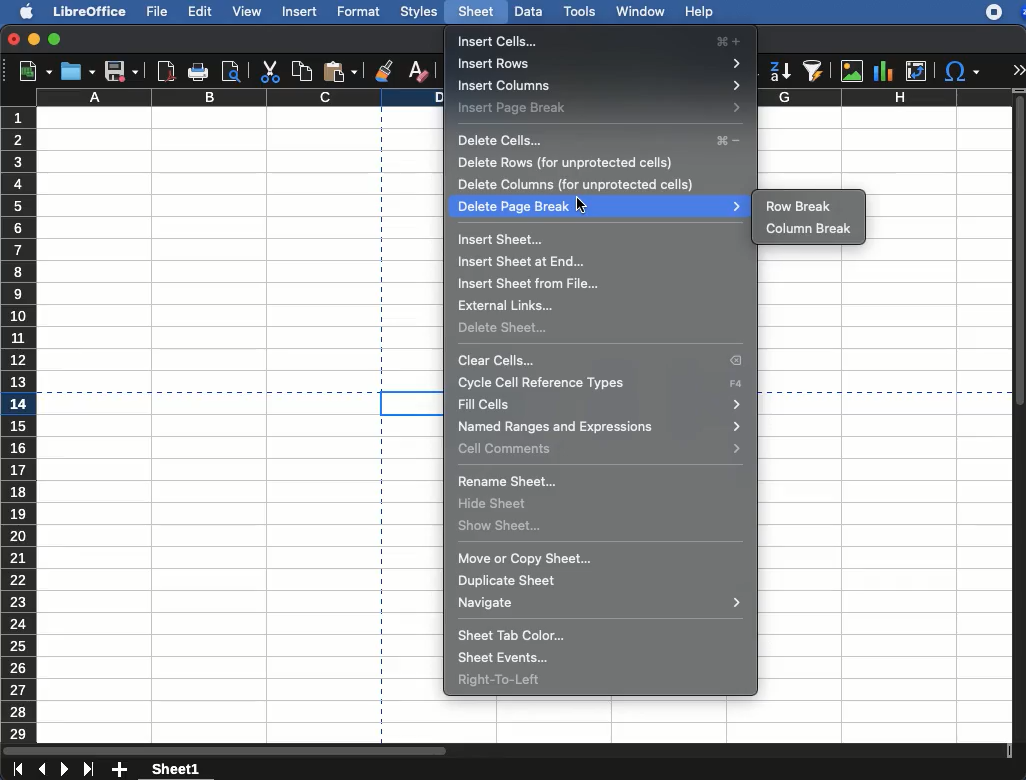  What do you see at coordinates (230, 71) in the screenshot?
I see `print preview` at bounding box center [230, 71].